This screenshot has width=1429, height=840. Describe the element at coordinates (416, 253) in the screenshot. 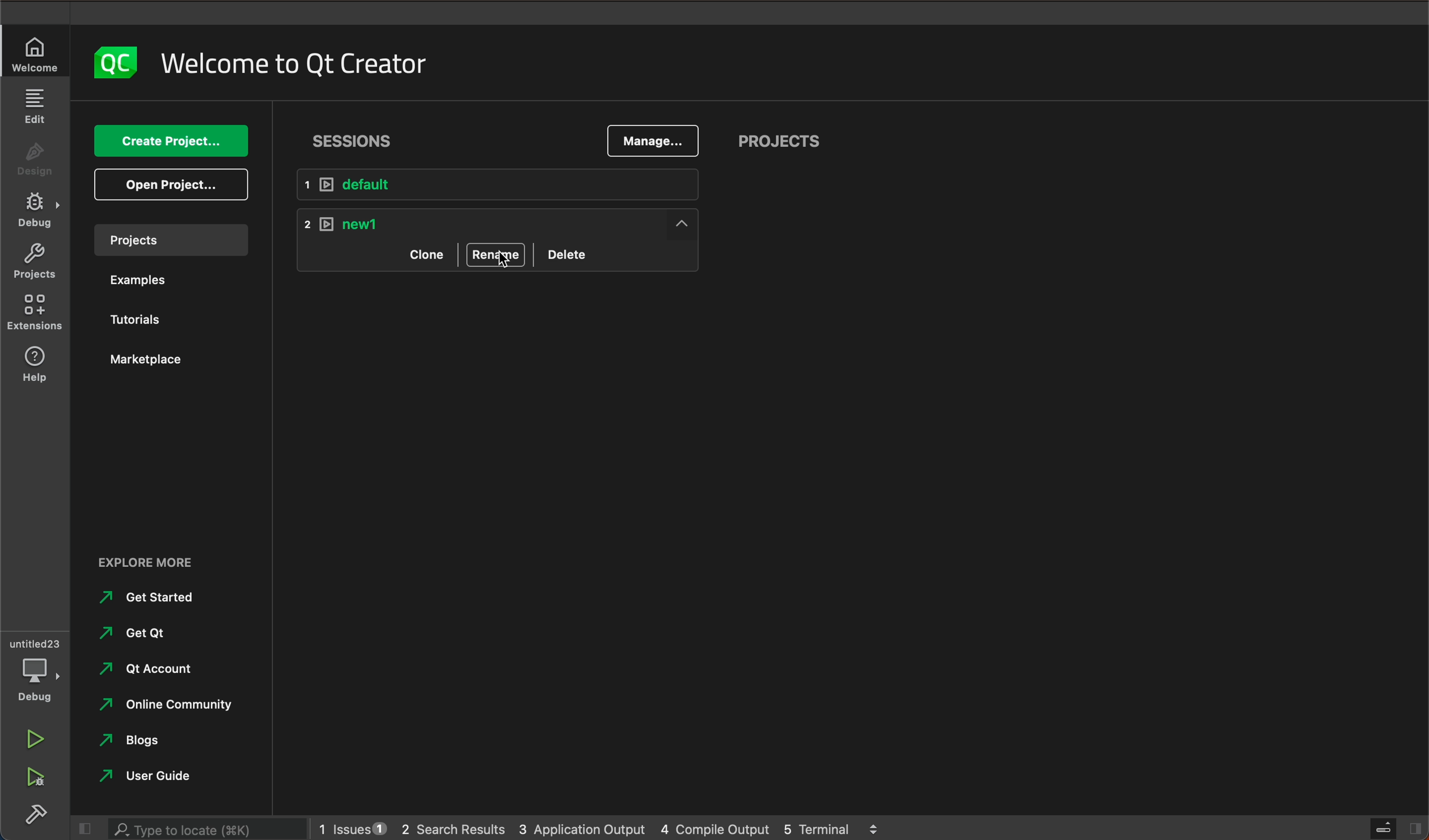

I see `clone` at that location.